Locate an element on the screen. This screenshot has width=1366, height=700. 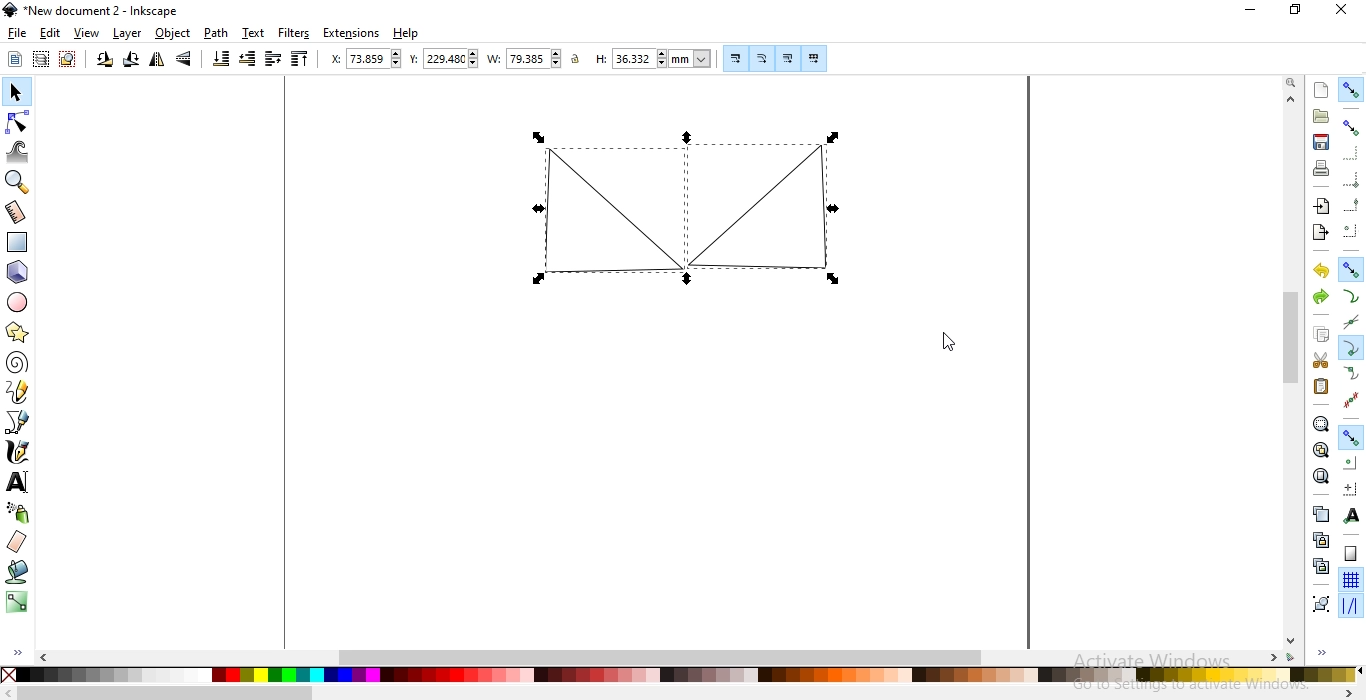
deselect any selected objects or nodes is located at coordinates (67, 60).